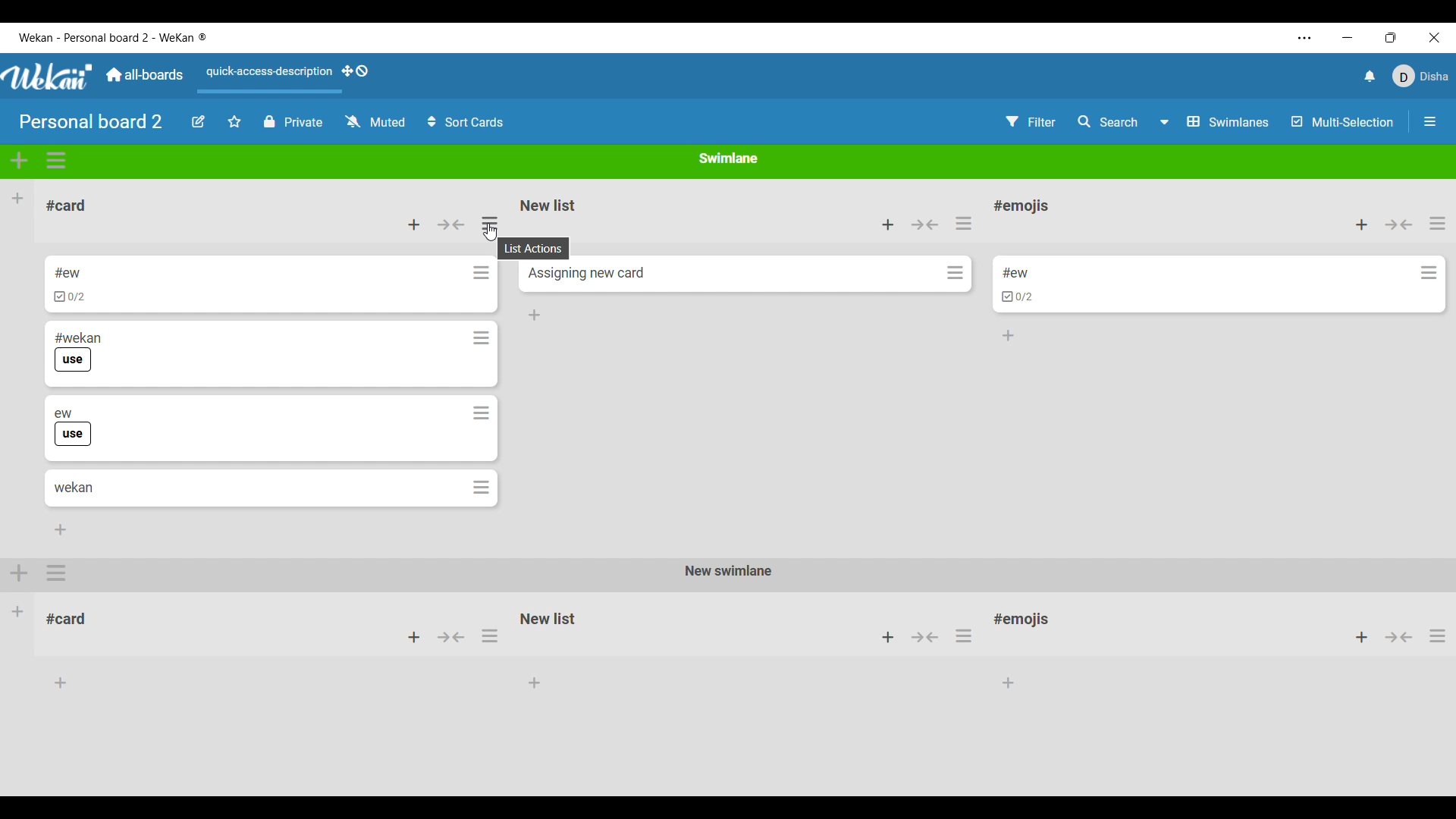 This screenshot has height=819, width=1456. What do you see at coordinates (1429, 272) in the screenshot?
I see `Card actions` at bounding box center [1429, 272].